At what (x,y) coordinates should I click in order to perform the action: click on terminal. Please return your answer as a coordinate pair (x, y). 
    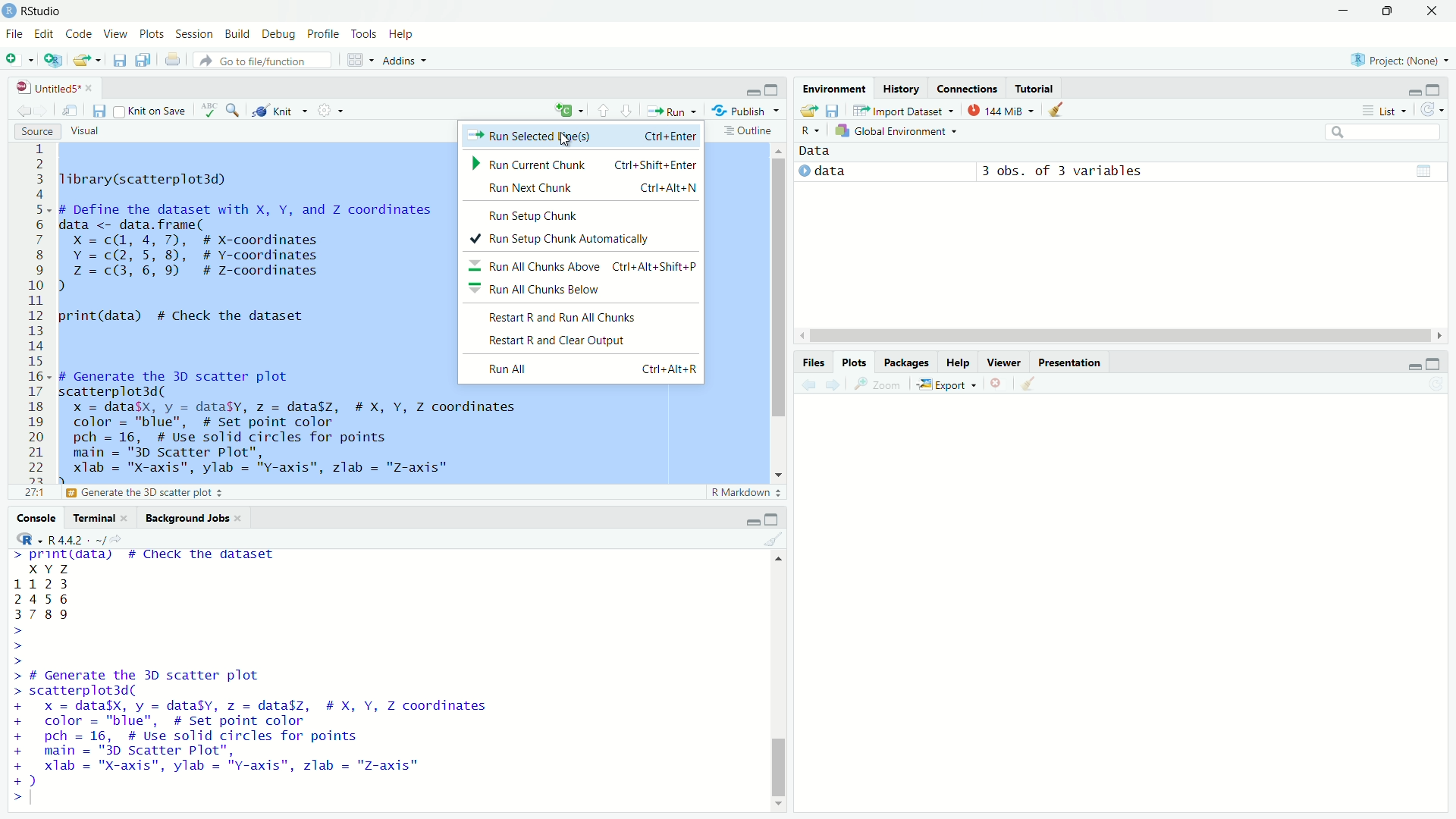
    Looking at the image, I should click on (89, 520).